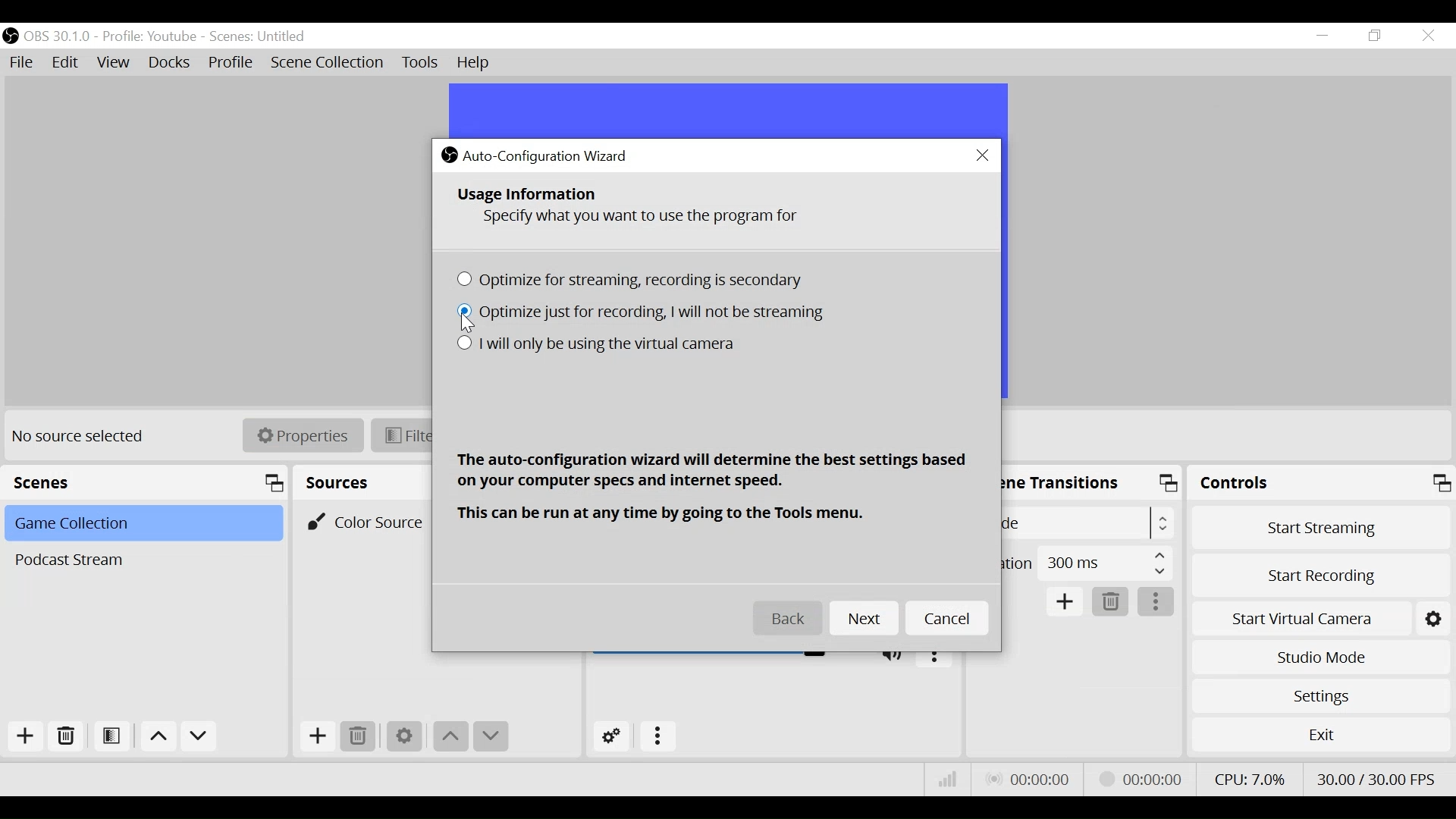 The width and height of the screenshot is (1456, 819). What do you see at coordinates (149, 37) in the screenshot?
I see `profile` at bounding box center [149, 37].